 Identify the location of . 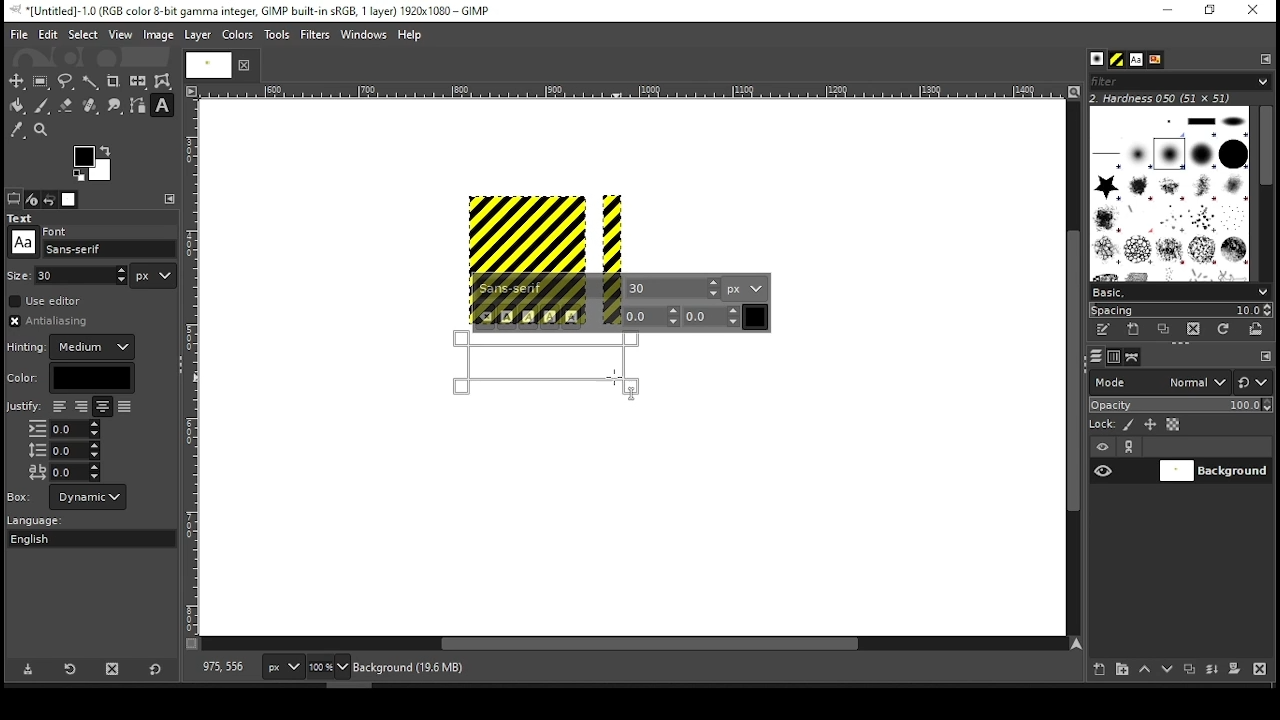
(543, 233).